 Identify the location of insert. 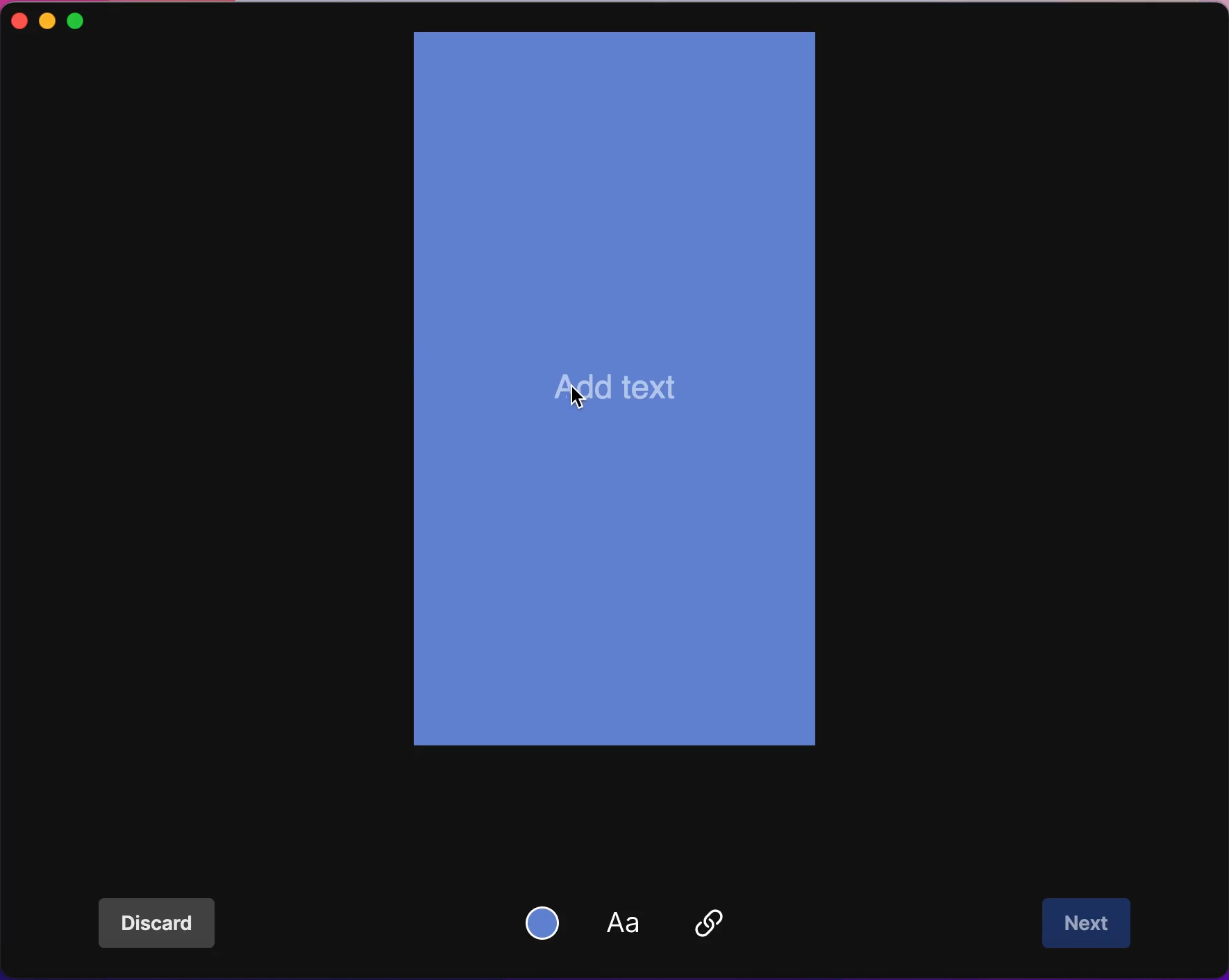
(716, 924).